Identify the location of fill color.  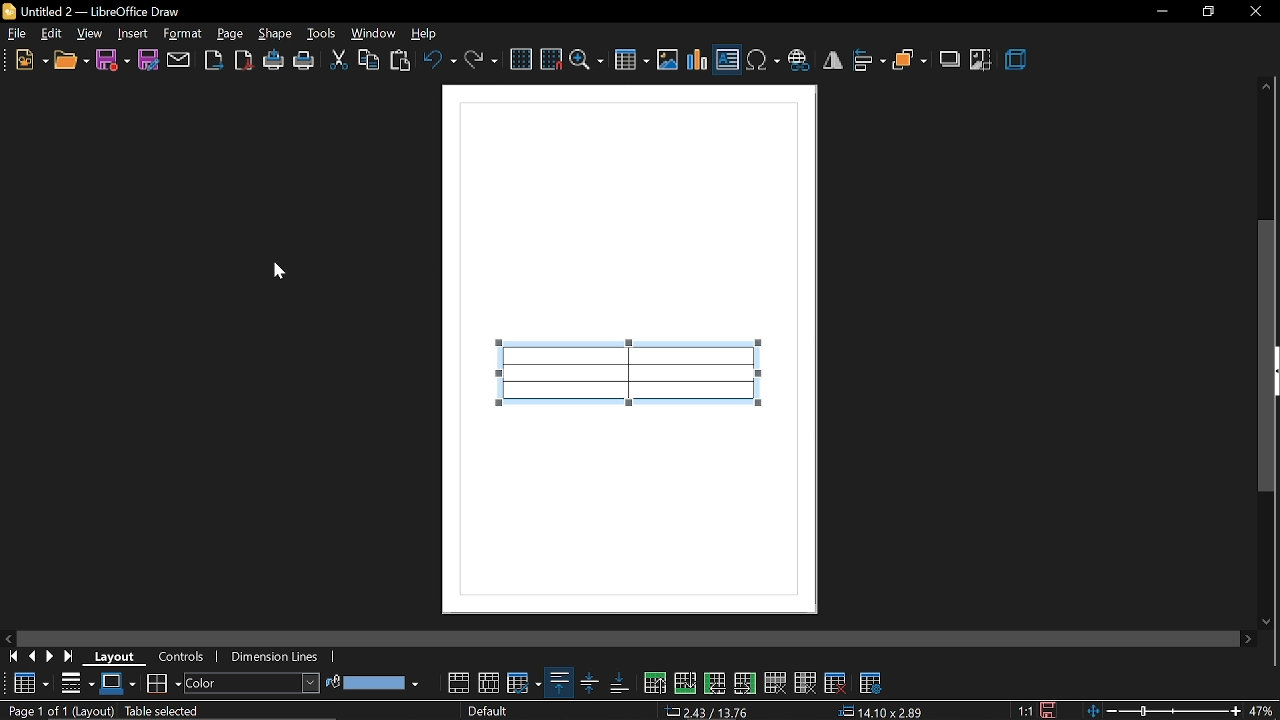
(372, 681).